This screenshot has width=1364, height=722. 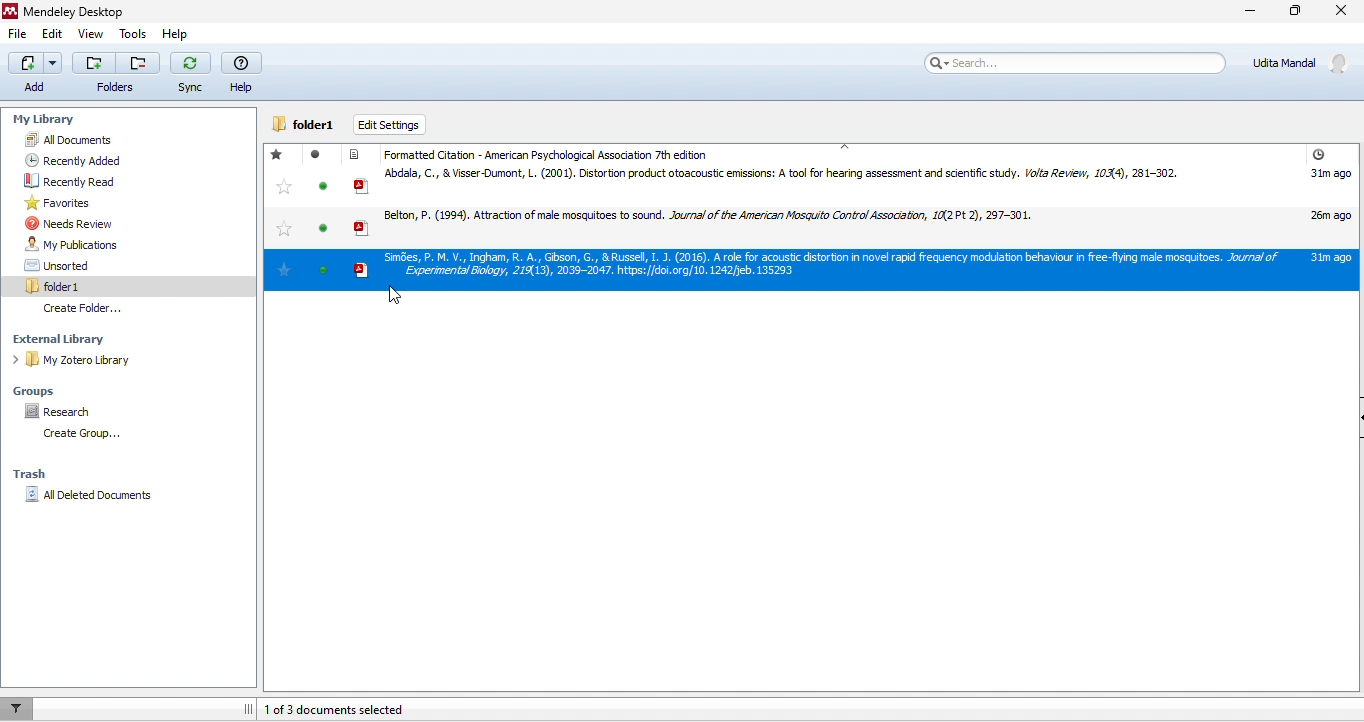 What do you see at coordinates (70, 225) in the screenshot?
I see `needs review` at bounding box center [70, 225].